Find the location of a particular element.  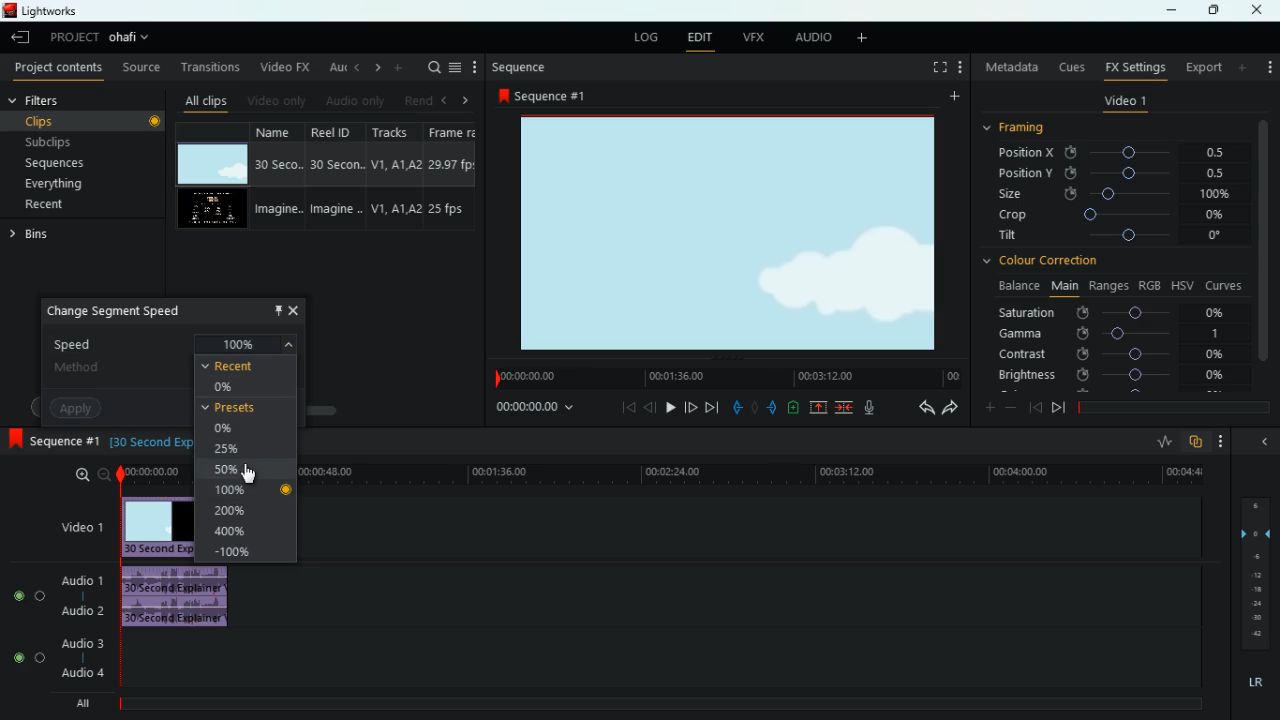

forward is located at coordinates (691, 407).